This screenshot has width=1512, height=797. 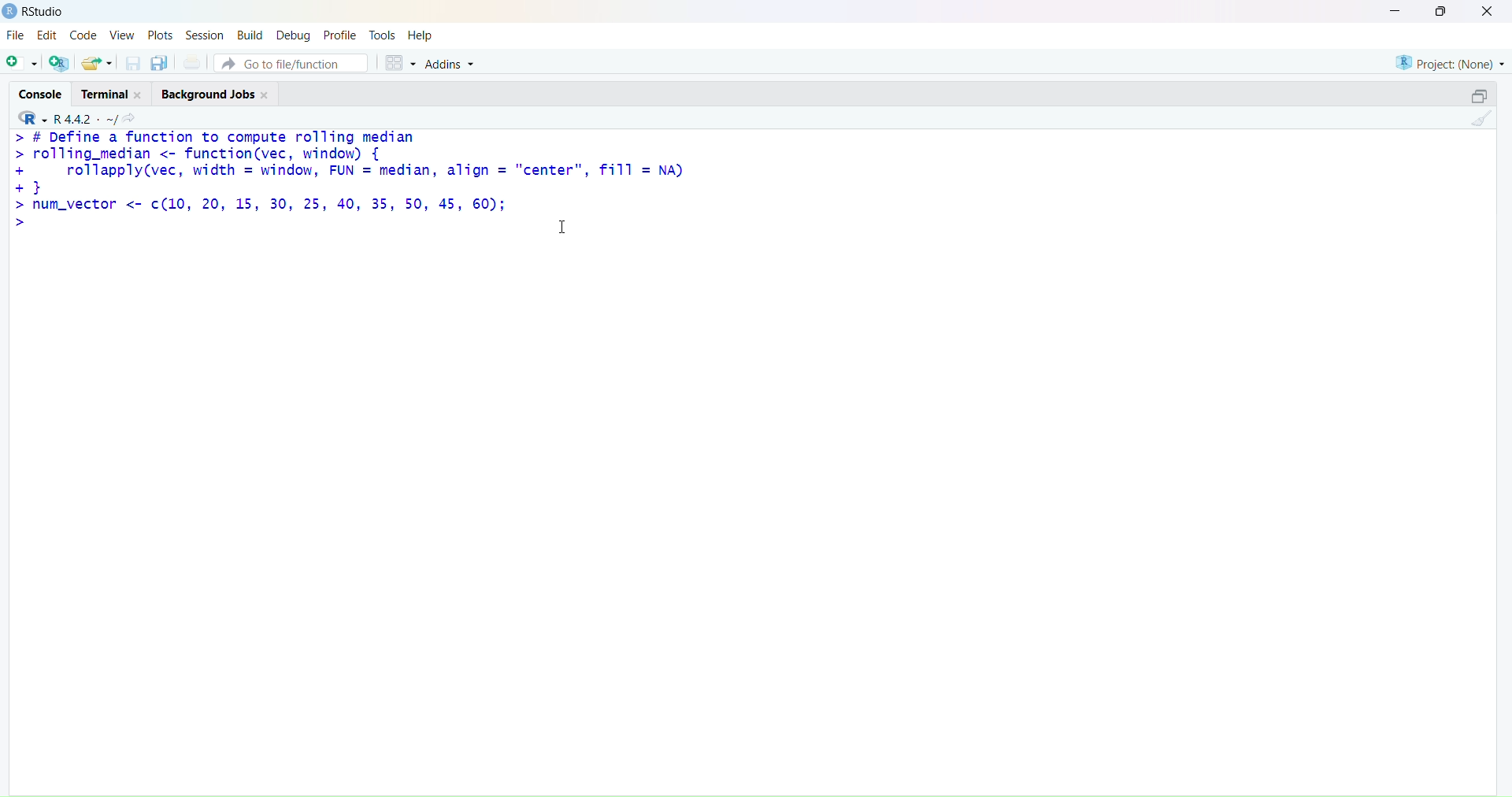 What do you see at coordinates (1479, 96) in the screenshot?
I see `open in separate window` at bounding box center [1479, 96].